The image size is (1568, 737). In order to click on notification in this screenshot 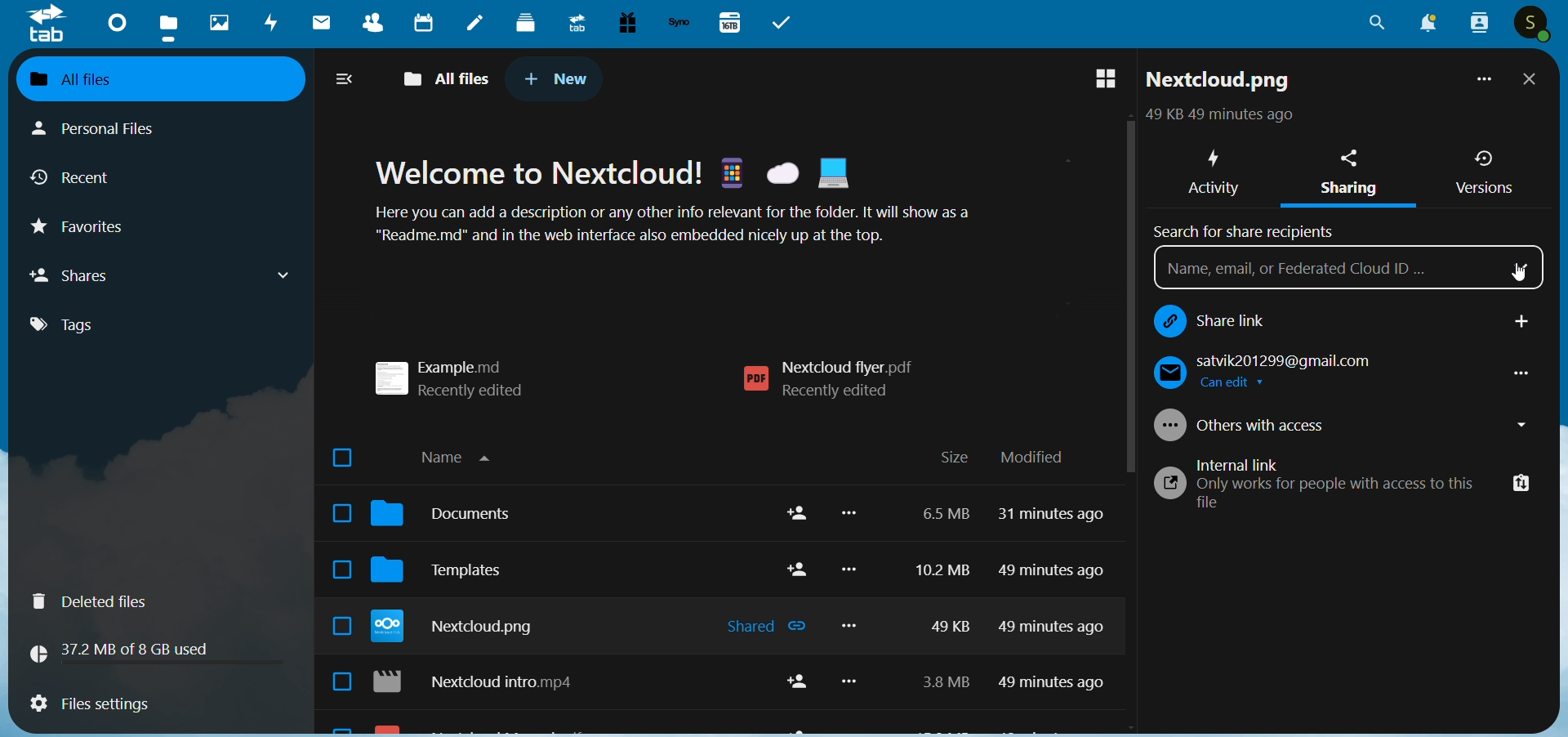, I will do `click(1424, 25)`.